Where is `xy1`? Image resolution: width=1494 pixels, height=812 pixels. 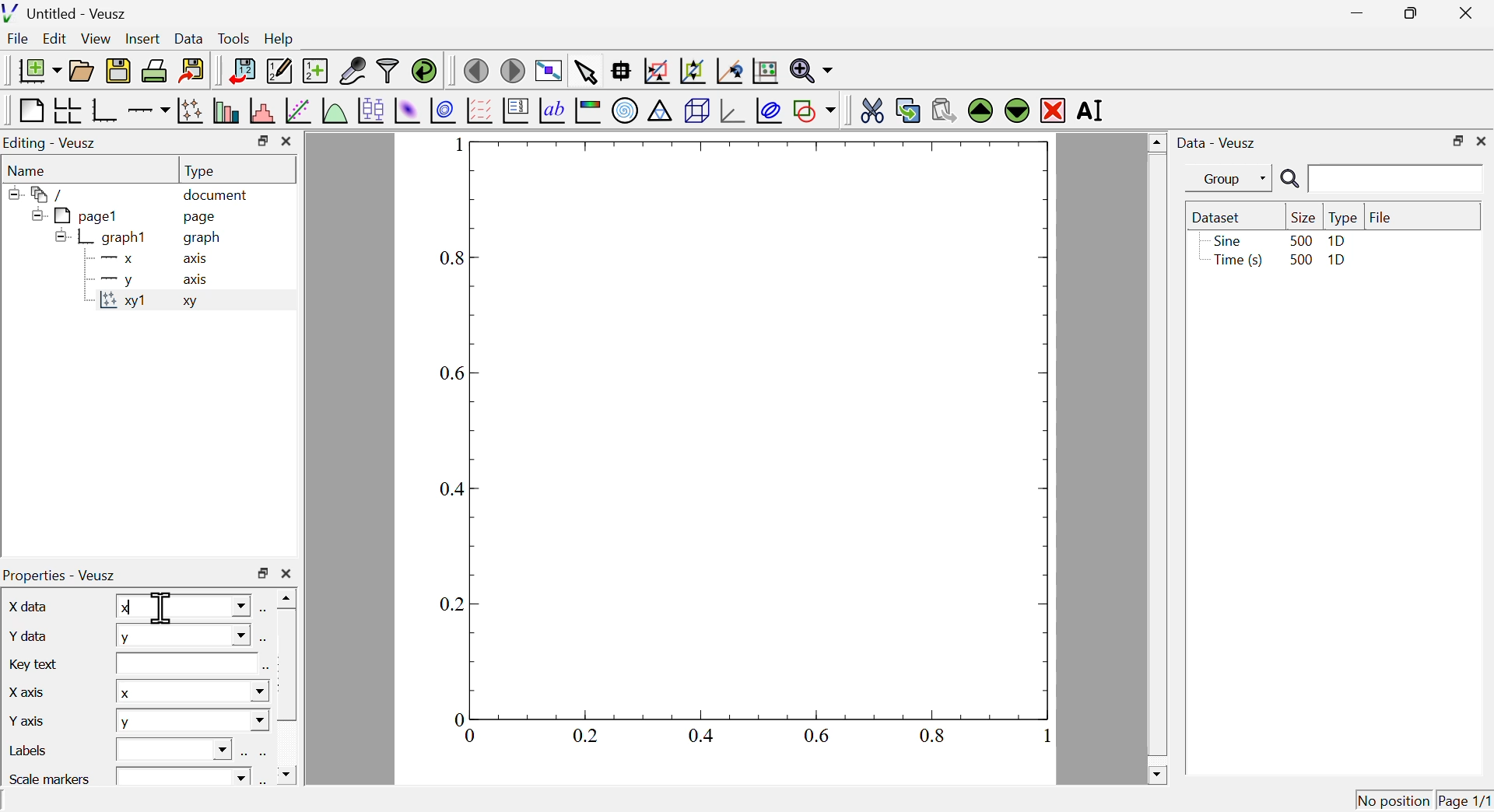 xy1 is located at coordinates (124, 305).